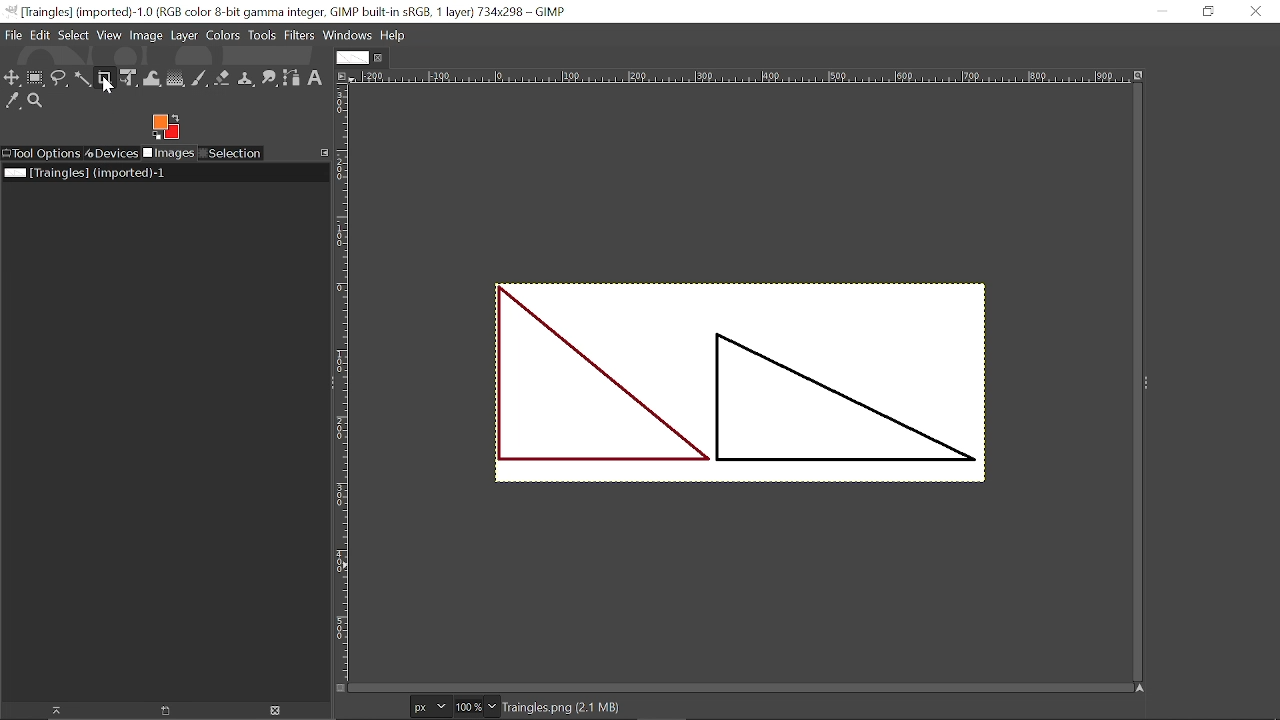  What do you see at coordinates (1256, 14) in the screenshot?
I see `Close` at bounding box center [1256, 14].